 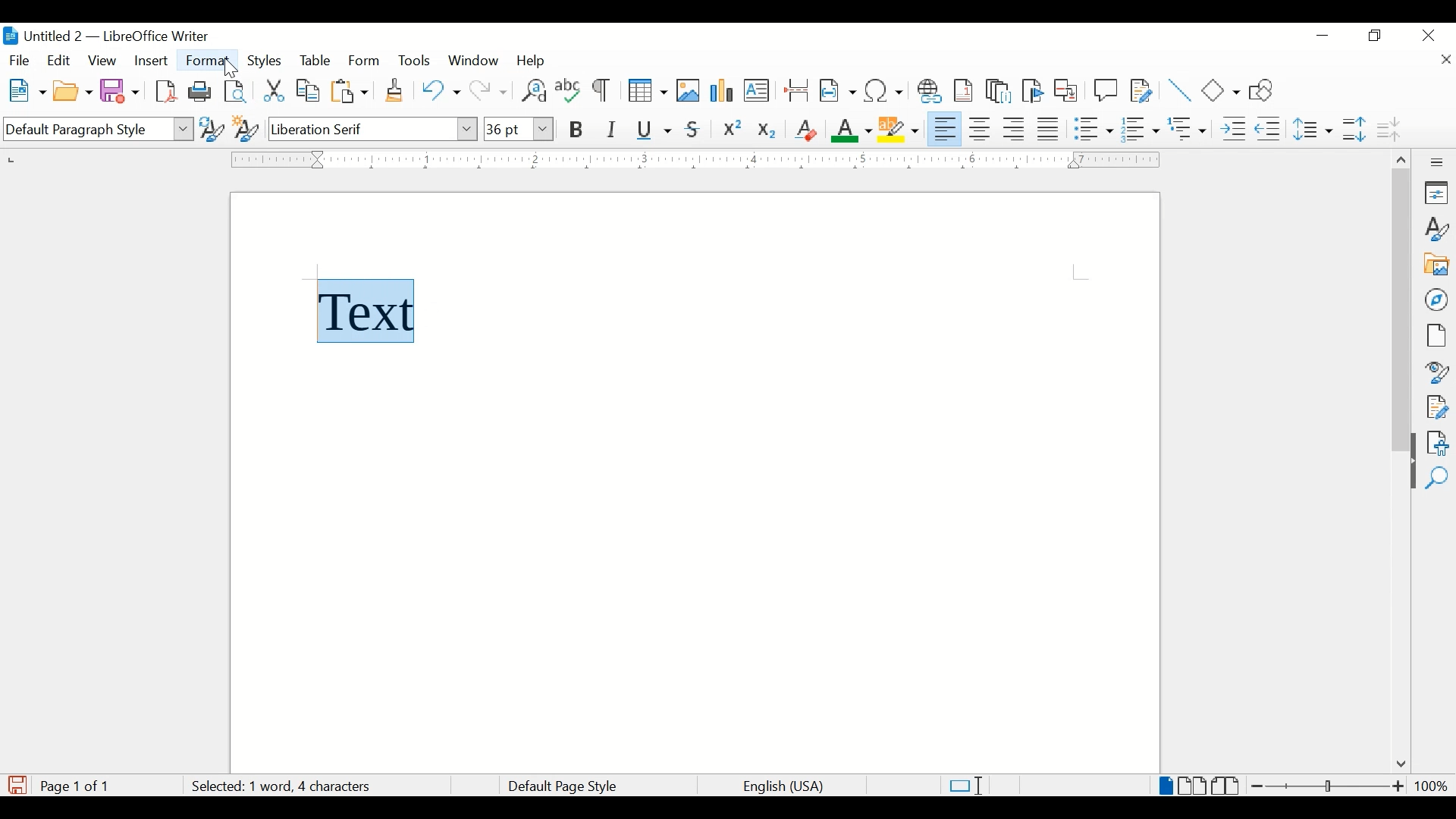 What do you see at coordinates (569, 89) in the screenshot?
I see `check spelling` at bounding box center [569, 89].